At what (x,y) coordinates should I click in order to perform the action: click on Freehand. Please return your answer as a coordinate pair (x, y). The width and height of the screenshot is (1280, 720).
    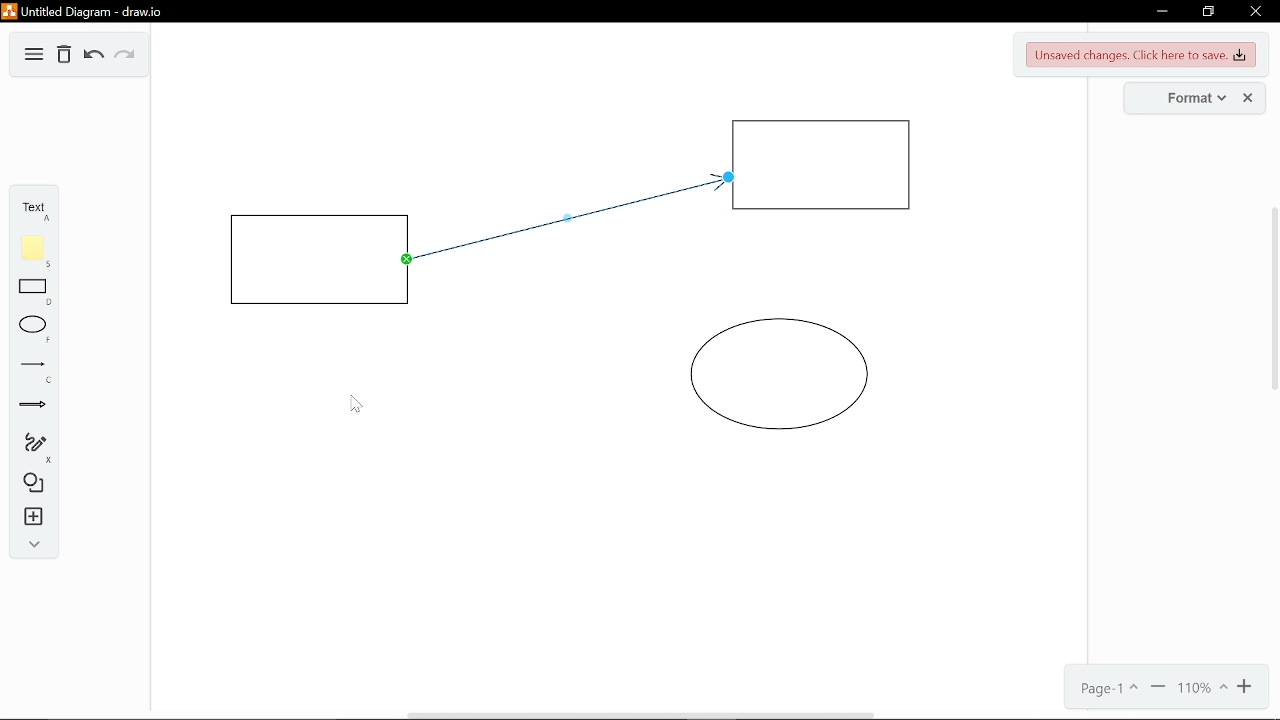
    Looking at the image, I should click on (32, 447).